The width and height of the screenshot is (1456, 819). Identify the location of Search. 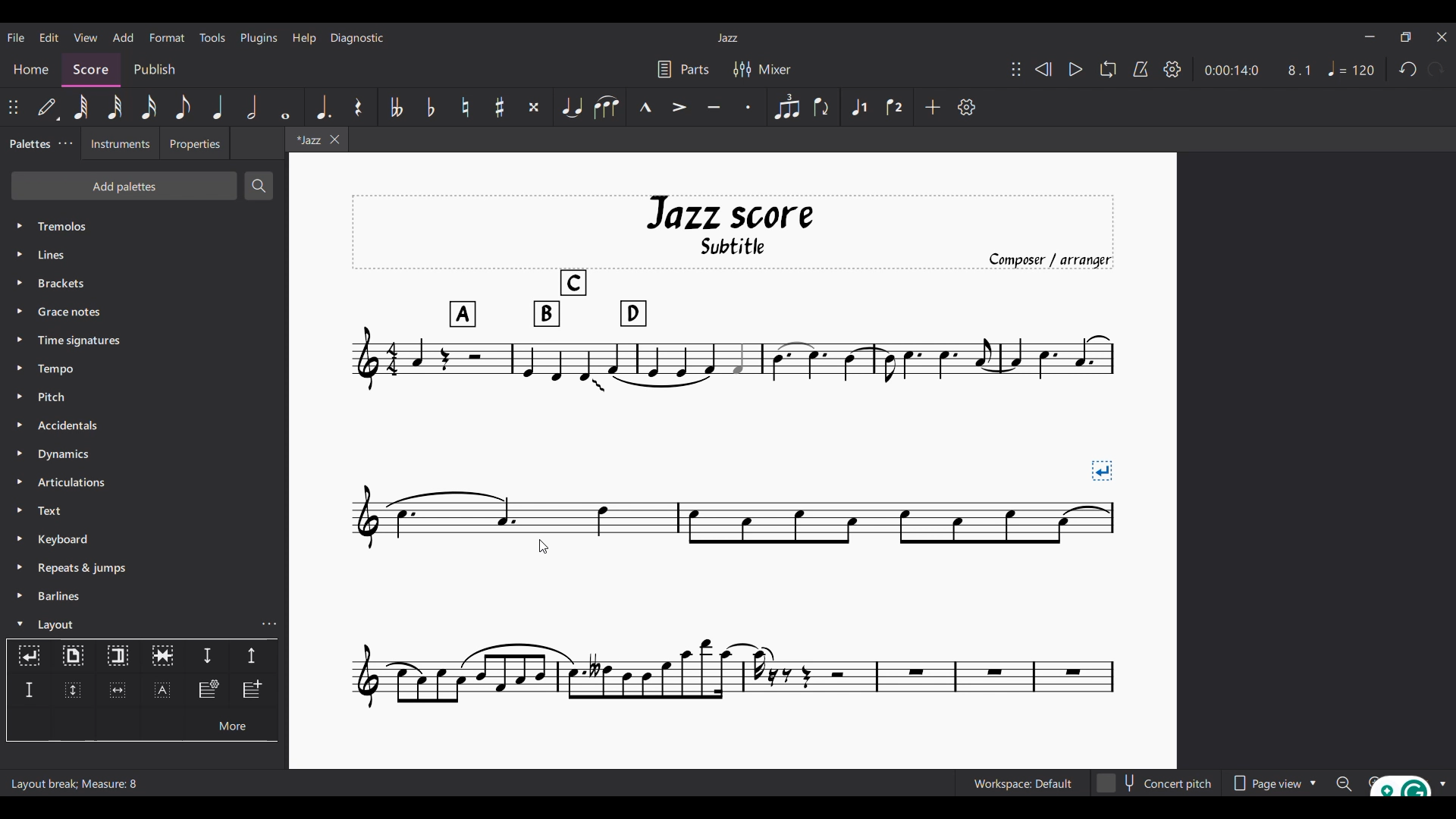
(259, 186).